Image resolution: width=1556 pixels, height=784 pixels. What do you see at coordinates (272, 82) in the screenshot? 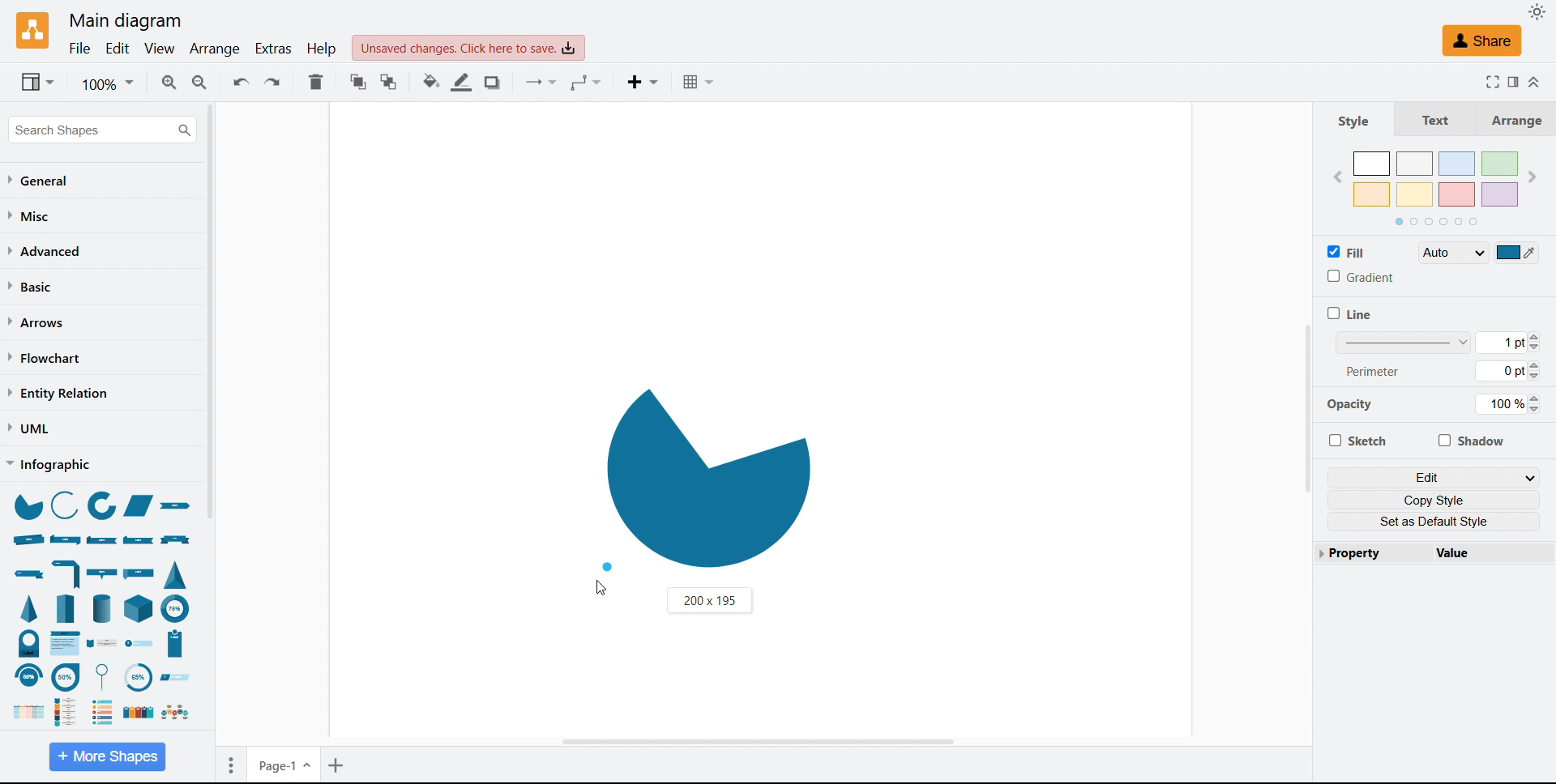
I see `Redo ` at bounding box center [272, 82].